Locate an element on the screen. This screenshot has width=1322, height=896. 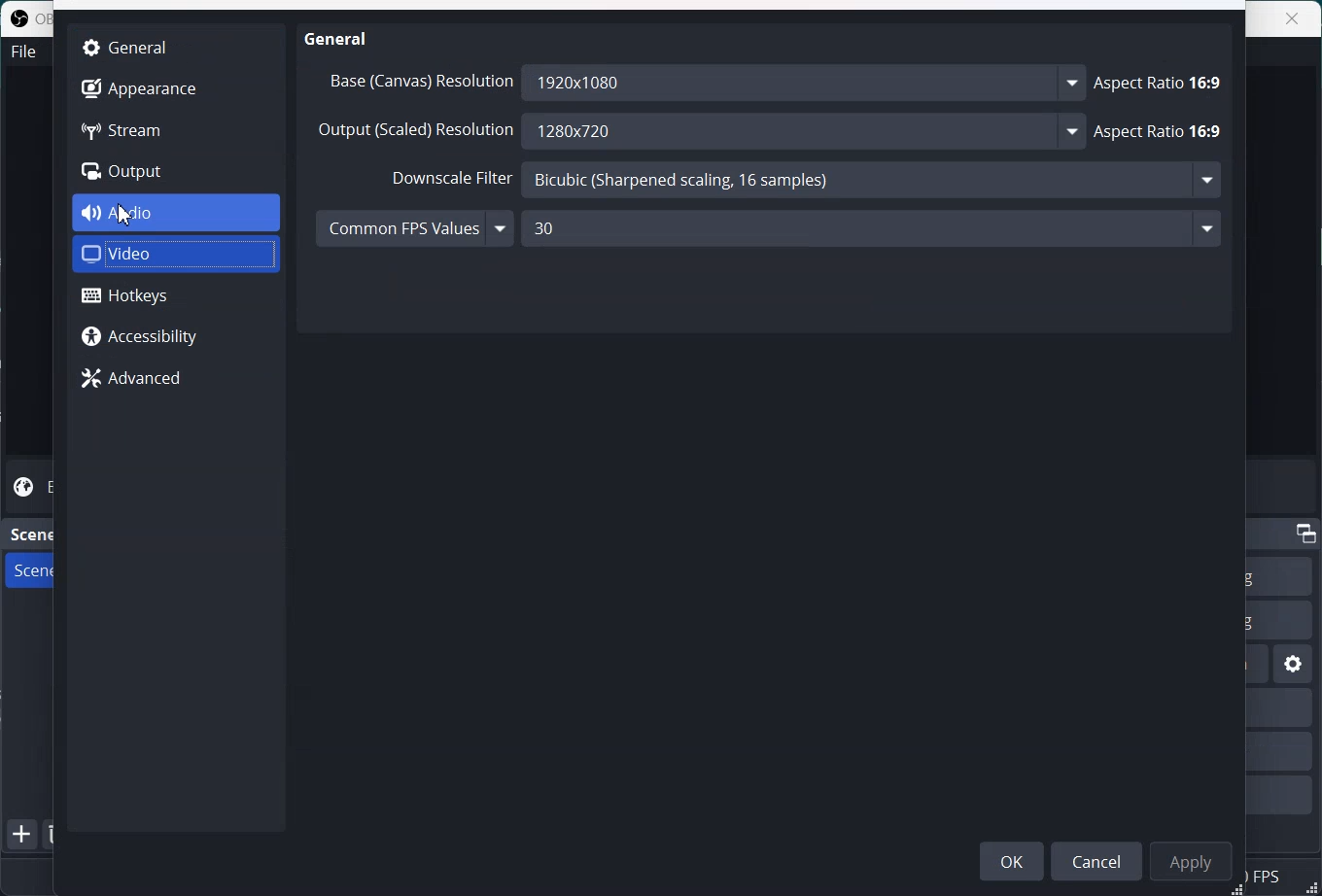
Output is located at coordinates (138, 172).